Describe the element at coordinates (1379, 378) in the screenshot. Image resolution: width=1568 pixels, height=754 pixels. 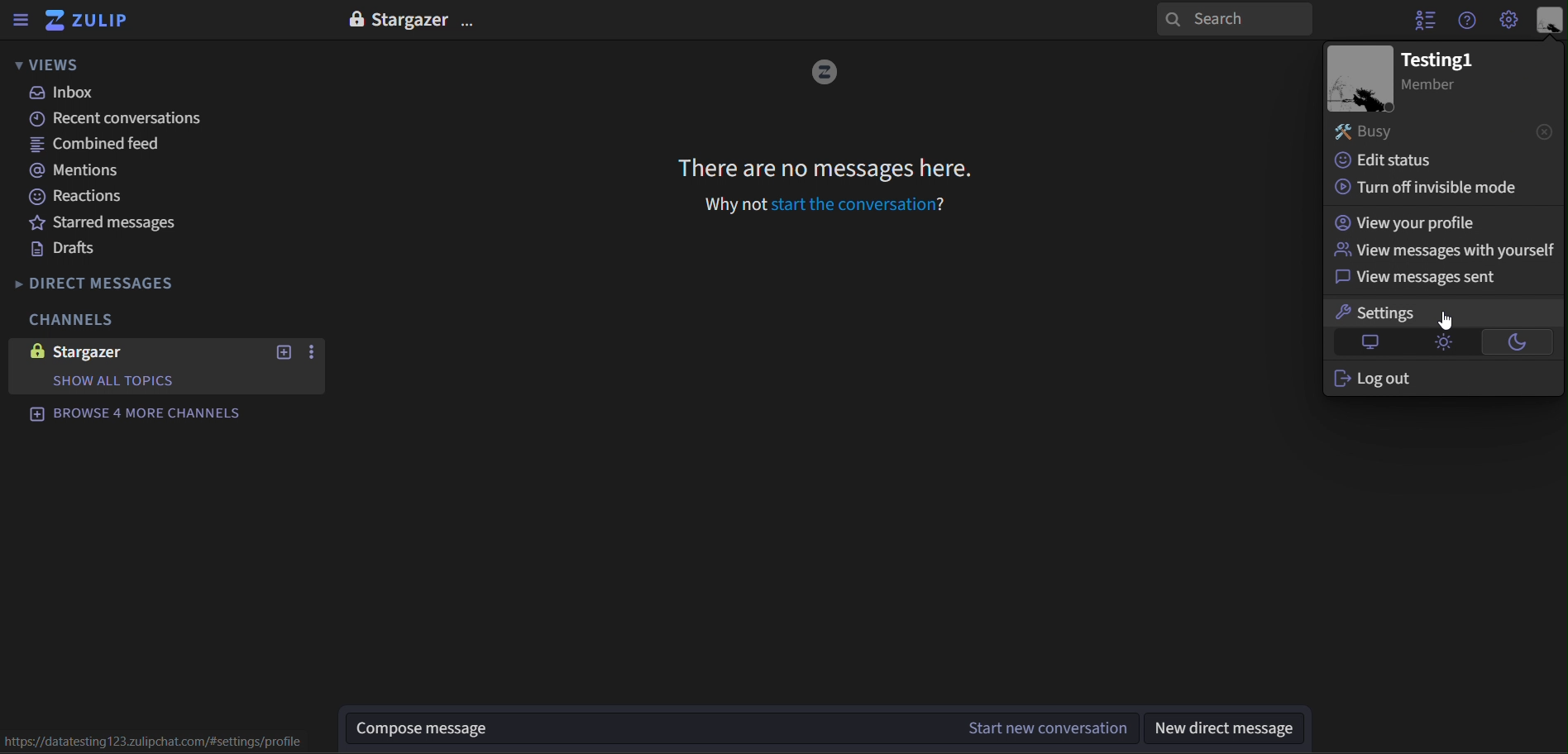
I see `log out` at that location.